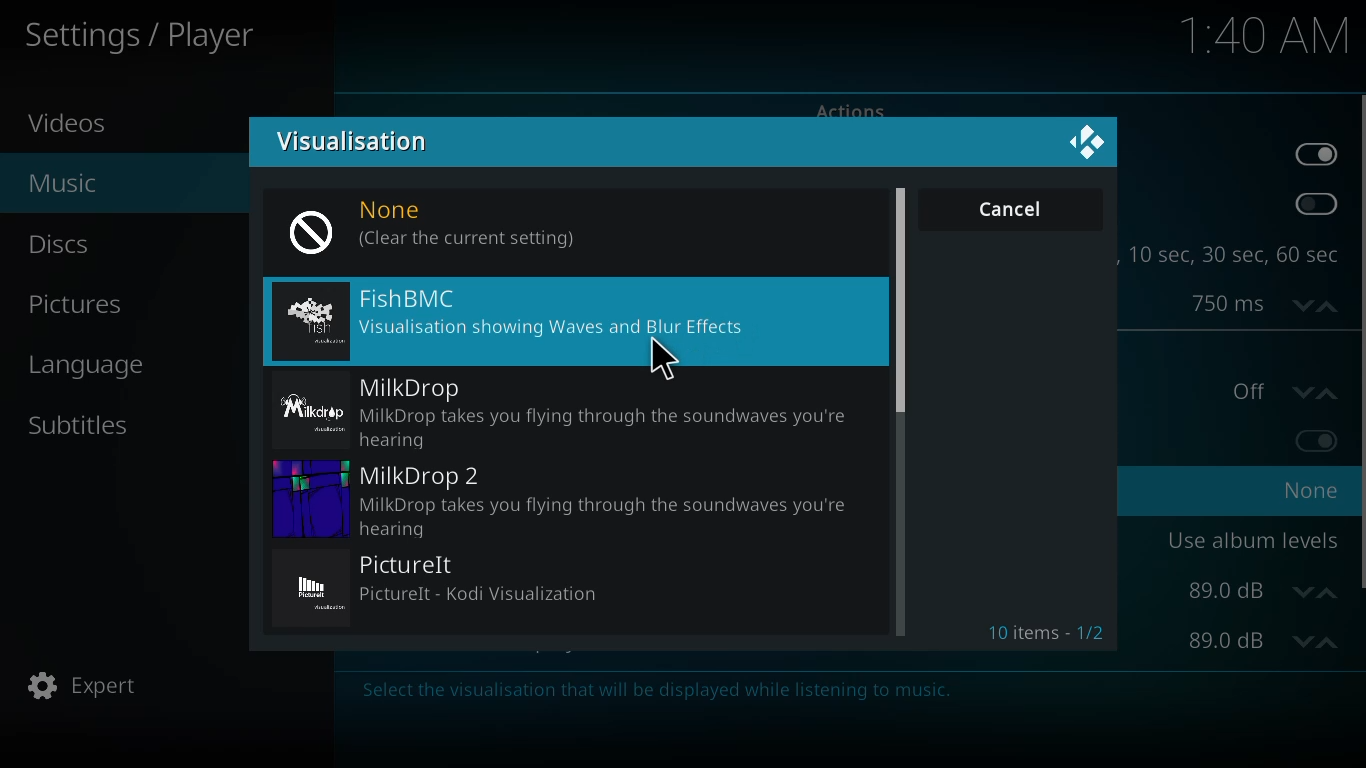  What do you see at coordinates (1315, 154) in the screenshot?
I see `enabled` at bounding box center [1315, 154].